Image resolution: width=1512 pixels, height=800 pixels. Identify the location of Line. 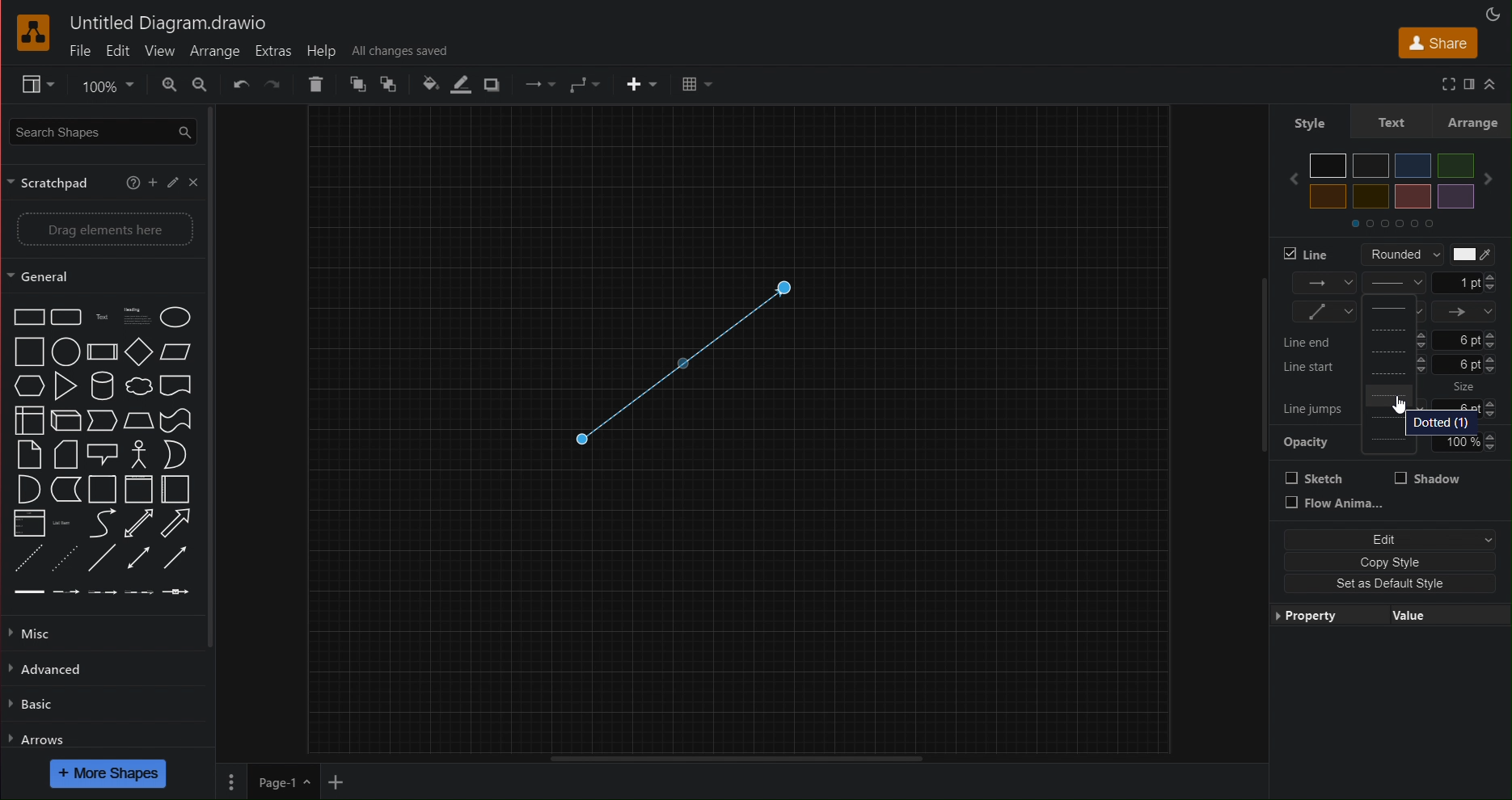
(1309, 254).